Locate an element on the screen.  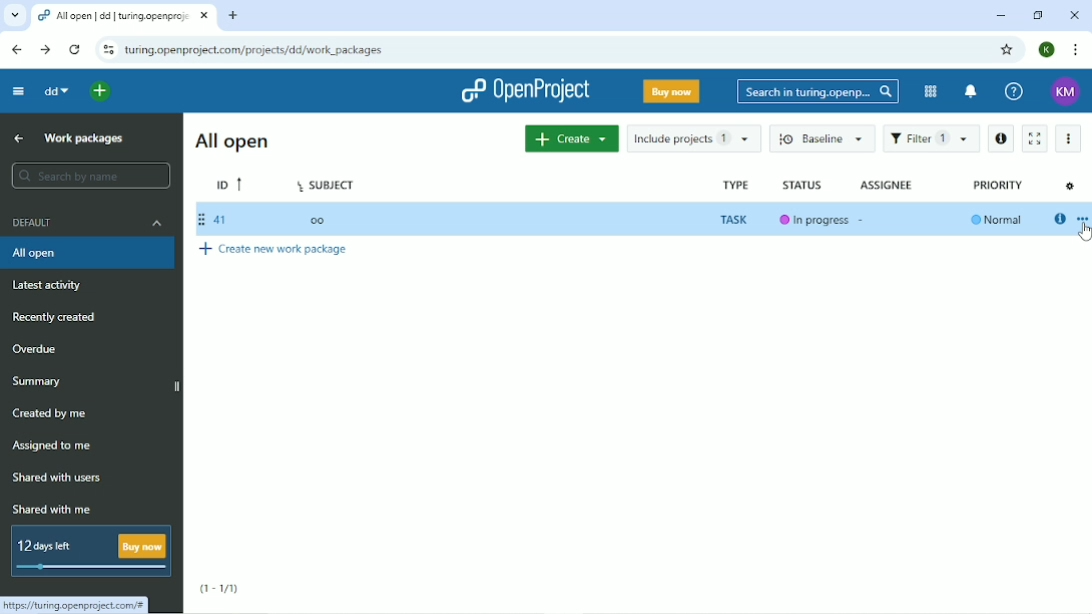
Normal is located at coordinates (993, 220).